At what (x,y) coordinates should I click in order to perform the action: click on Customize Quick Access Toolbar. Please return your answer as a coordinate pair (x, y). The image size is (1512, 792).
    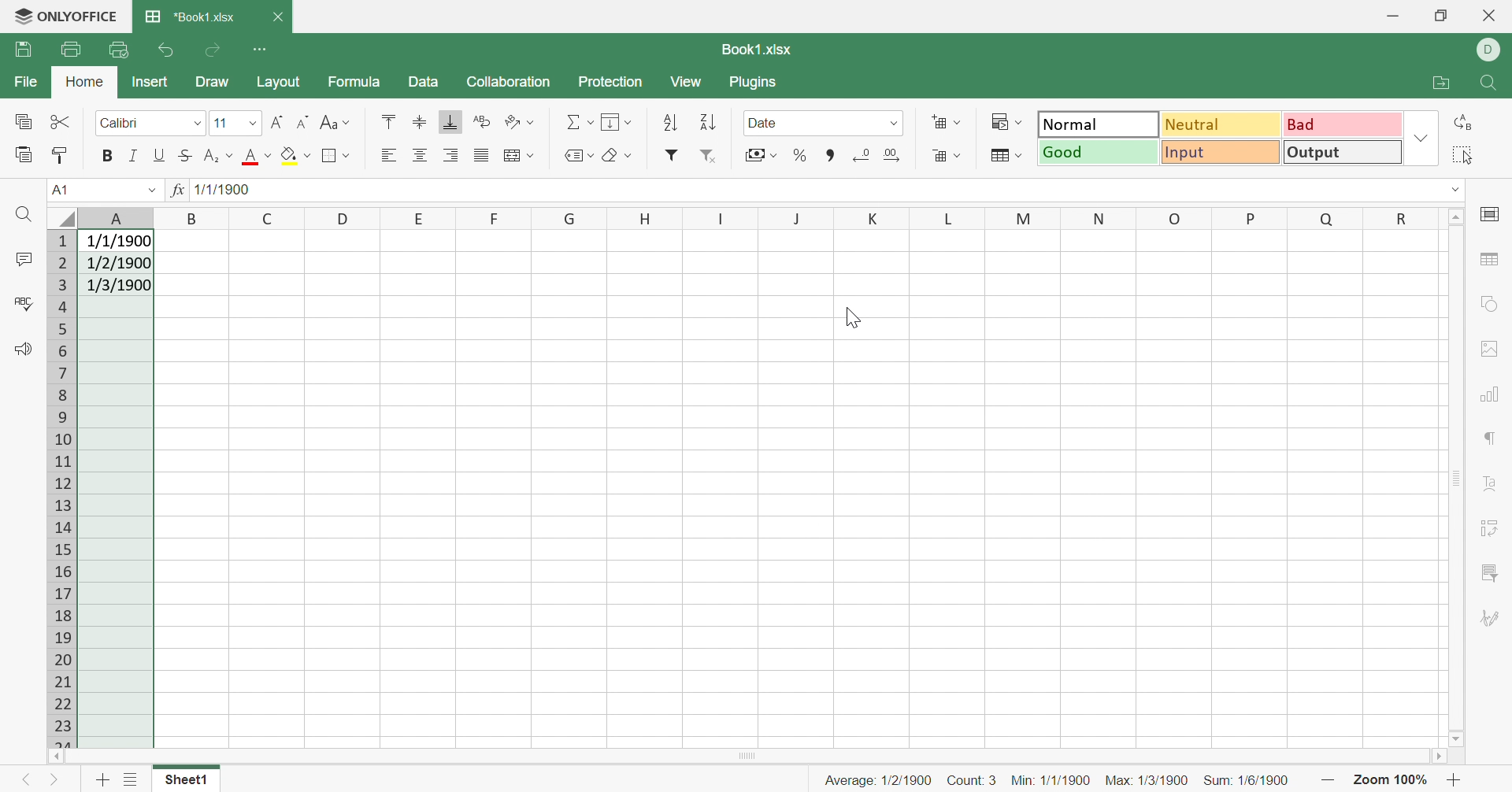
    Looking at the image, I should click on (263, 49).